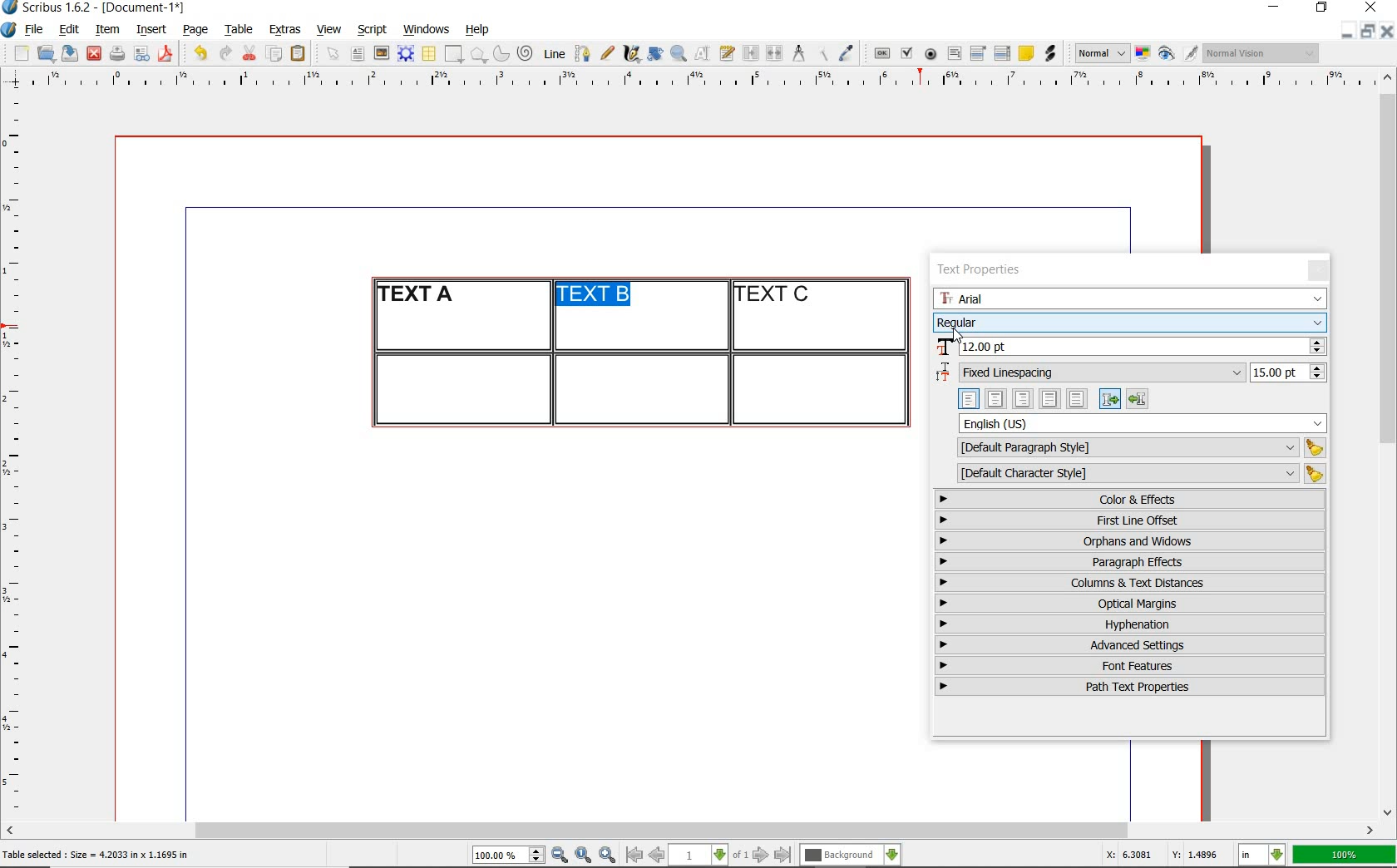 This screenshot has height=868, width=1397. Describe the element at coordinates (752, 55) in the screenshot. I see `link text frames` at that location.